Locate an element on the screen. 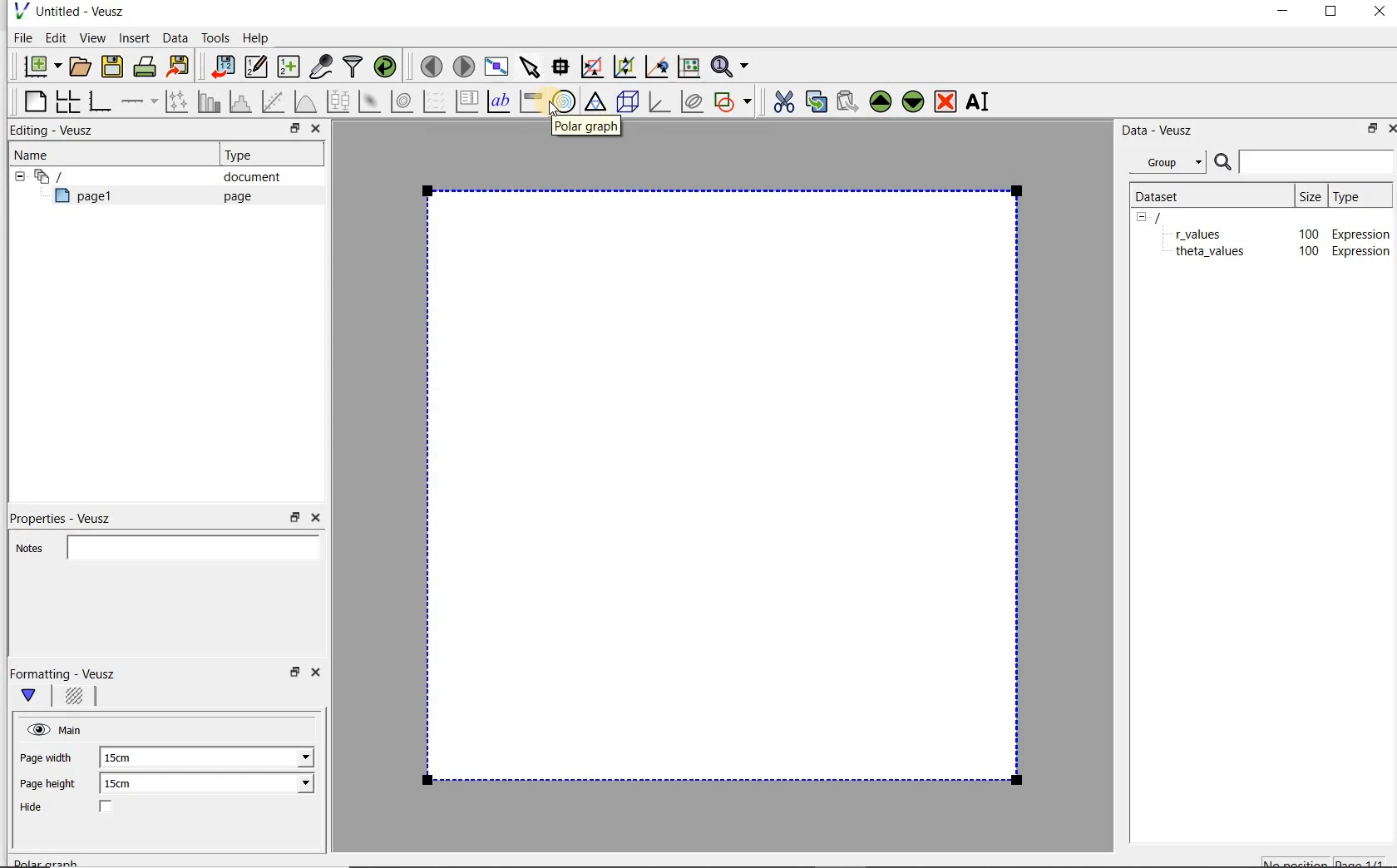  Close is located at coordinates (318, 675).